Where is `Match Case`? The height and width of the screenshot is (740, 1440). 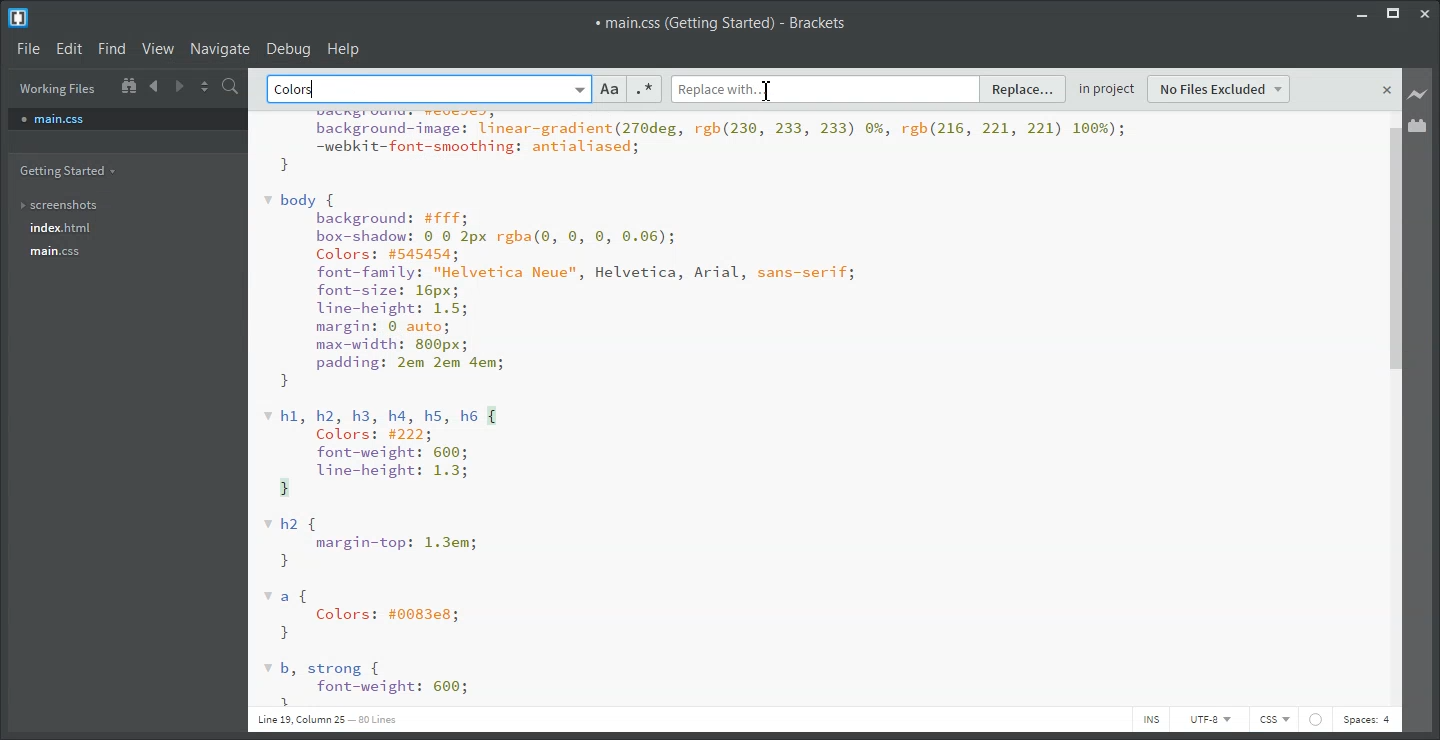 Match Case is located at coordinates (610, 89).